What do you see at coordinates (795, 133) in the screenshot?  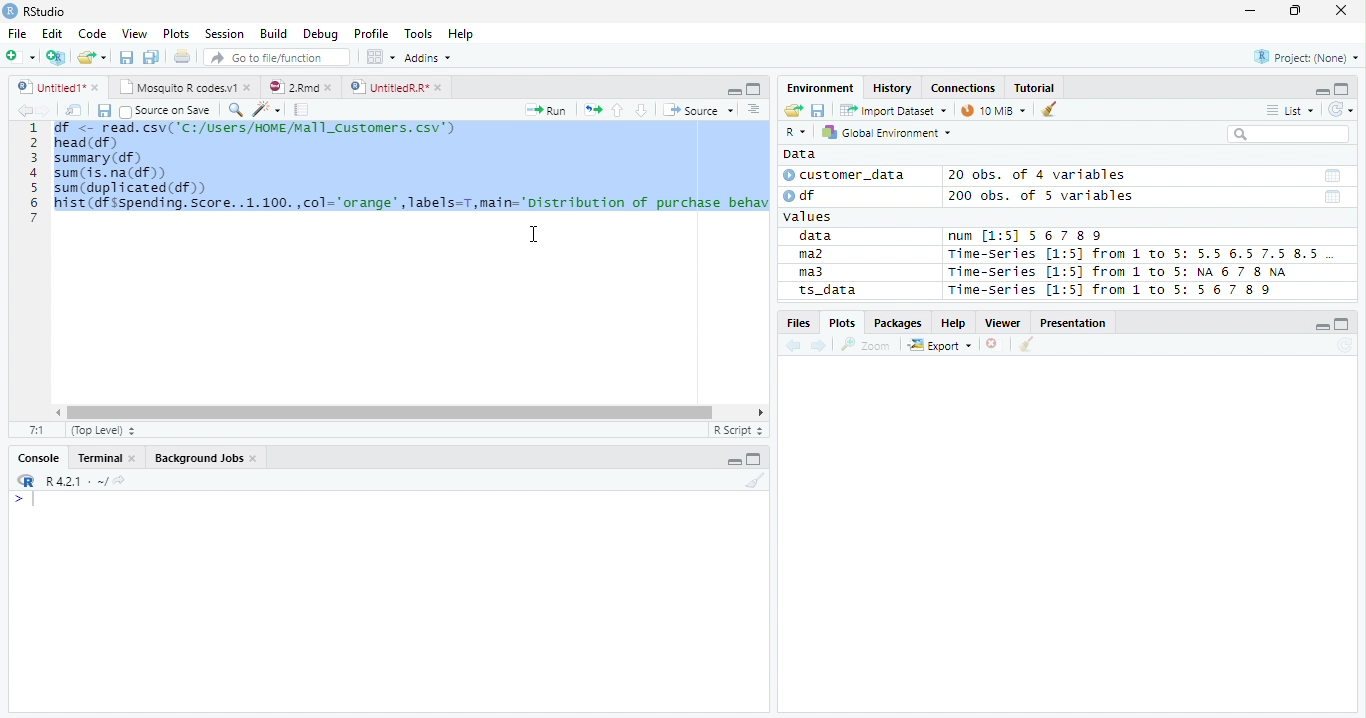 I see `R` at bounding box center [795, 133].